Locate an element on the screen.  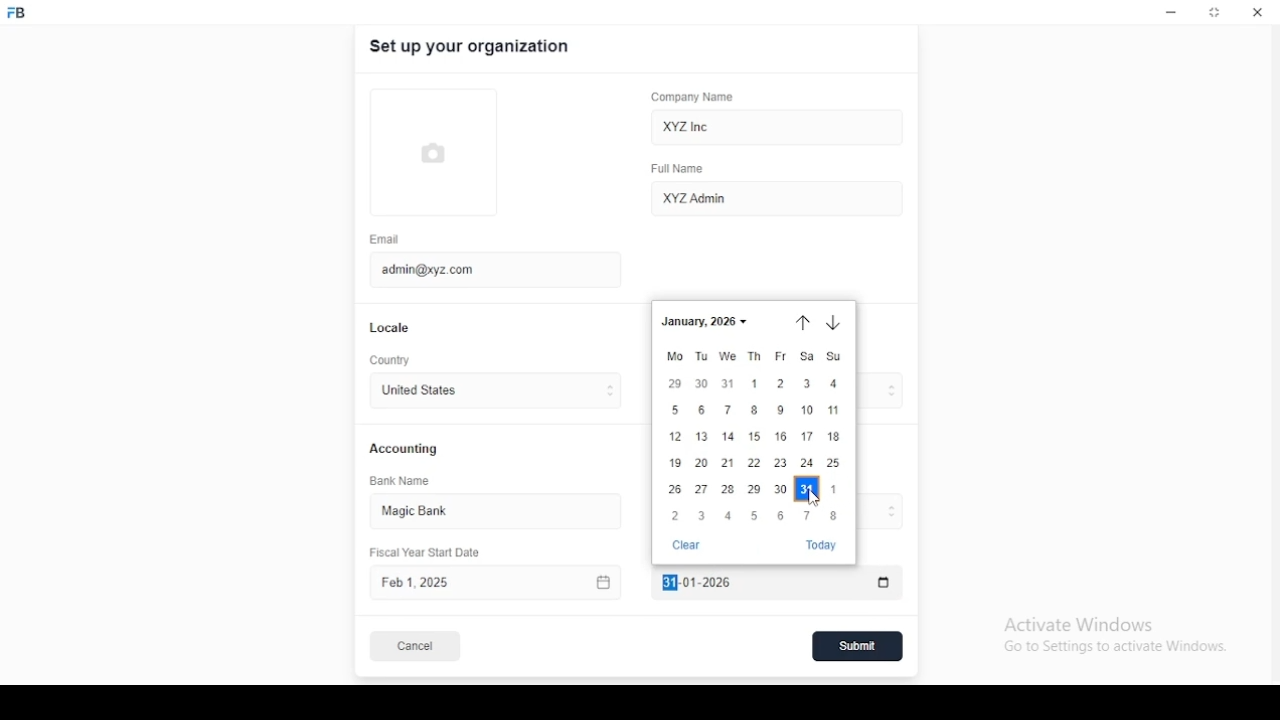
we is located at coordinates (728, 357).